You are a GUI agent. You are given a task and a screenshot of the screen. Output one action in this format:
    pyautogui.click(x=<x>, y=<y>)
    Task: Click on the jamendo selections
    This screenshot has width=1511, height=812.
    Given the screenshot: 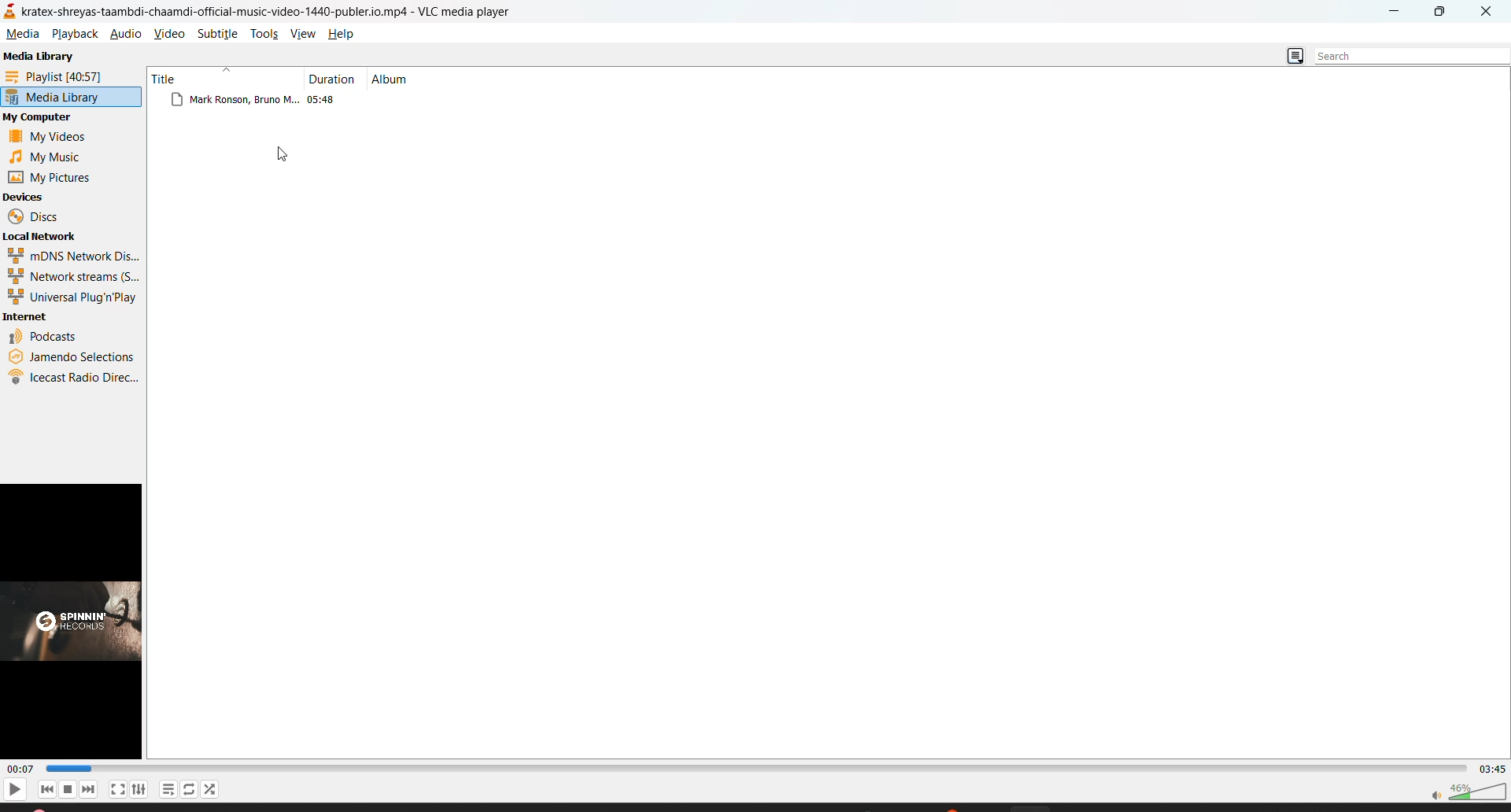 What is the action you would take?
    pyautogui.click(x=70, y=356)
    